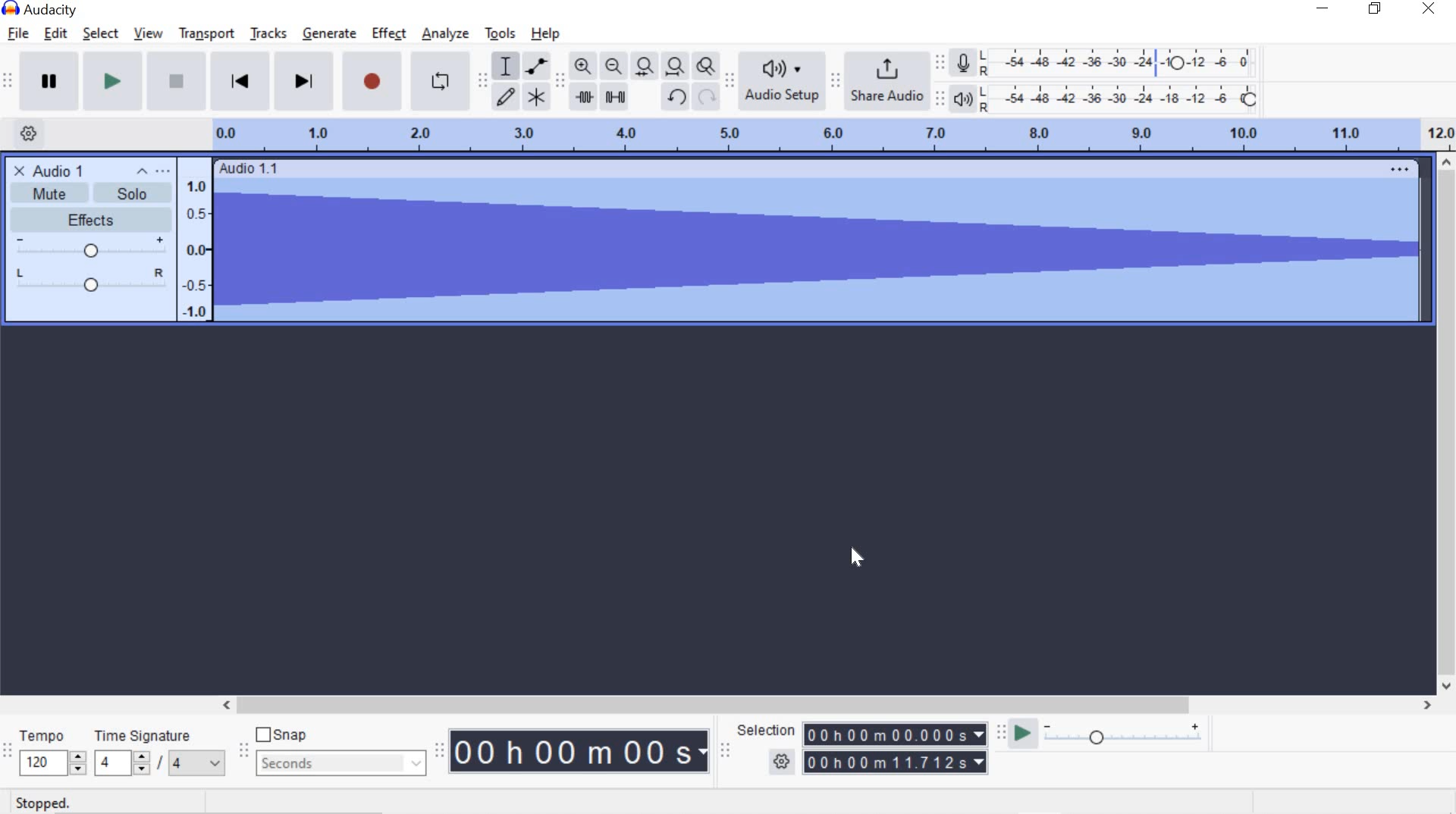  What do you see at coordinates (1005, 734) in the screenshot?
I see `Play-at-speed toolbar` at bounding box center [1005, 734].